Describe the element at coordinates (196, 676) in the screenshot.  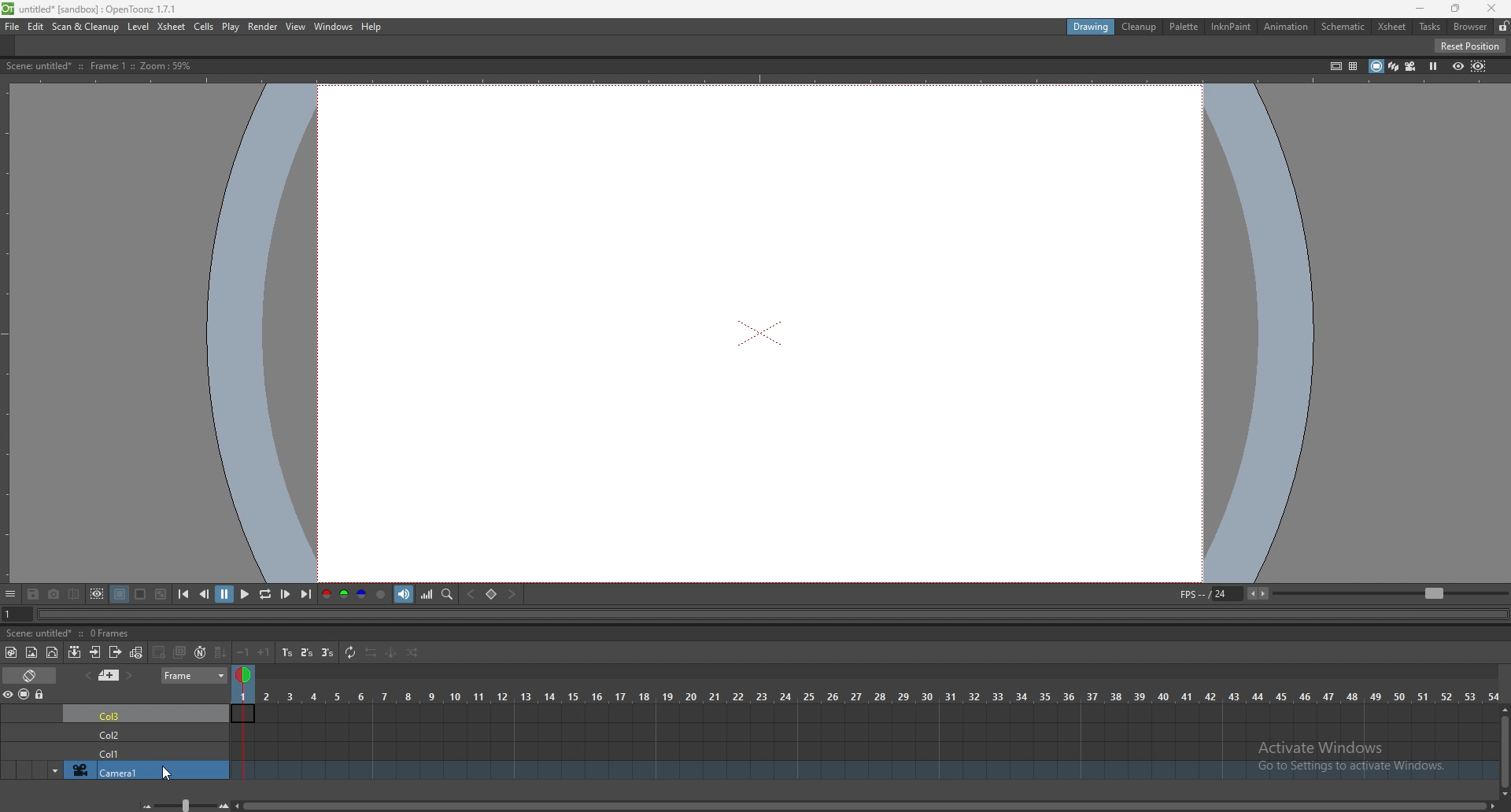
I see `frame` at that location.